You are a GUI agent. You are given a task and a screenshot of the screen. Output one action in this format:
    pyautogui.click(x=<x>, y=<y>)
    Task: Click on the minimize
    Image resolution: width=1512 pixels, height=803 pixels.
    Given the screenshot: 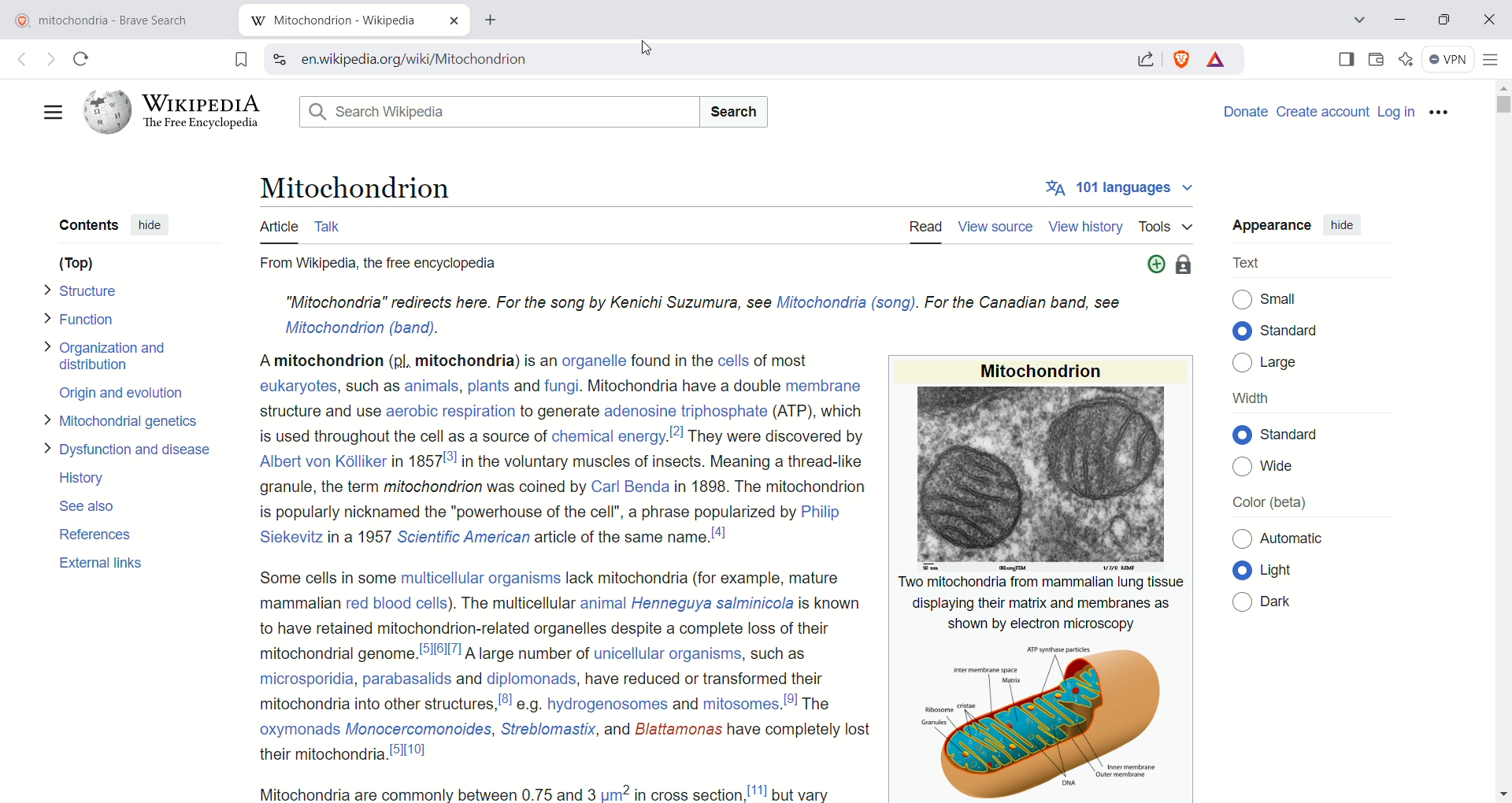 What is the action you would take?
    pyautogui.click(x=1401, y=22)
    